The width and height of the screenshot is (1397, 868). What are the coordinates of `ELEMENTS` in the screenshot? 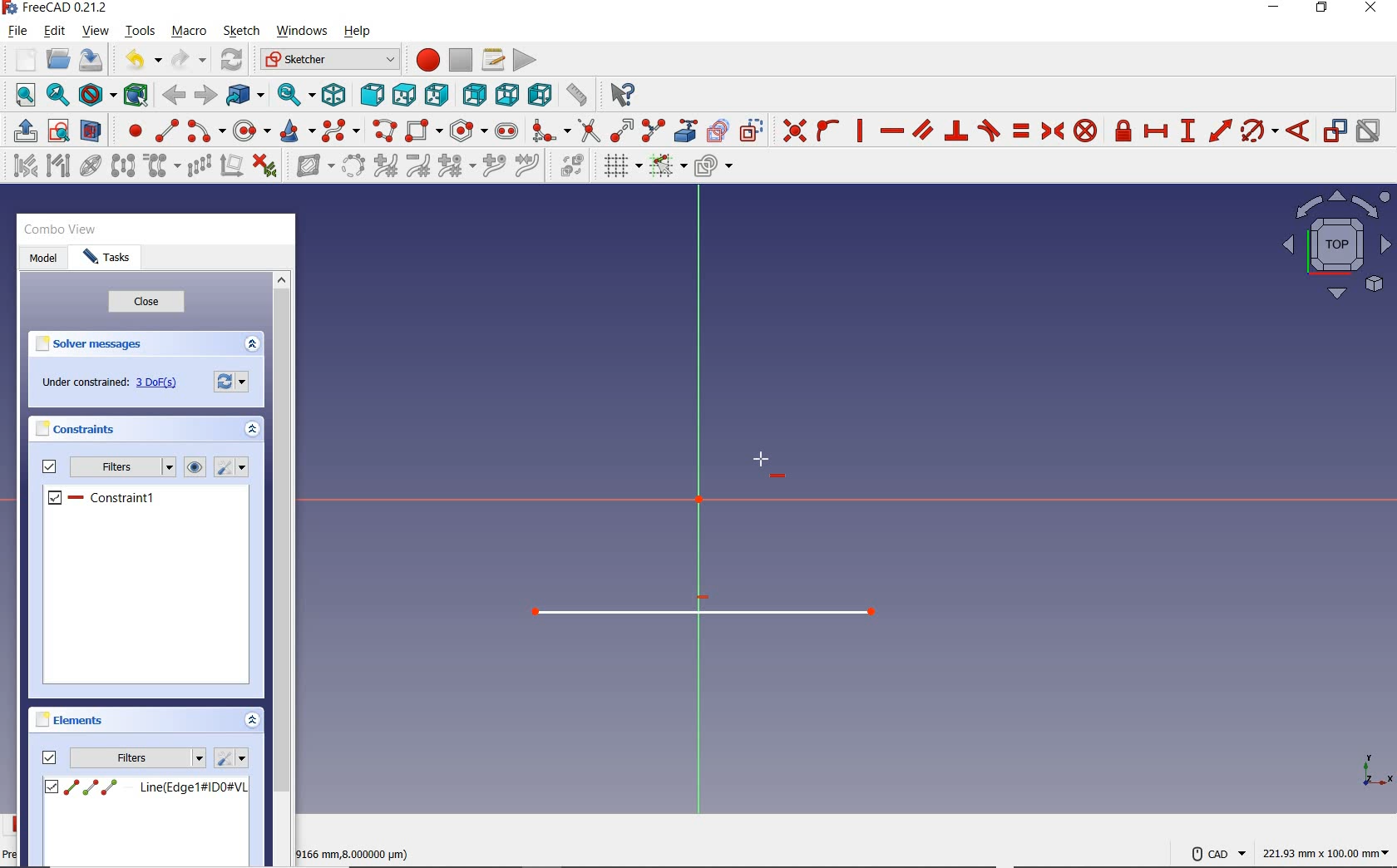 It's located at (69, 719).